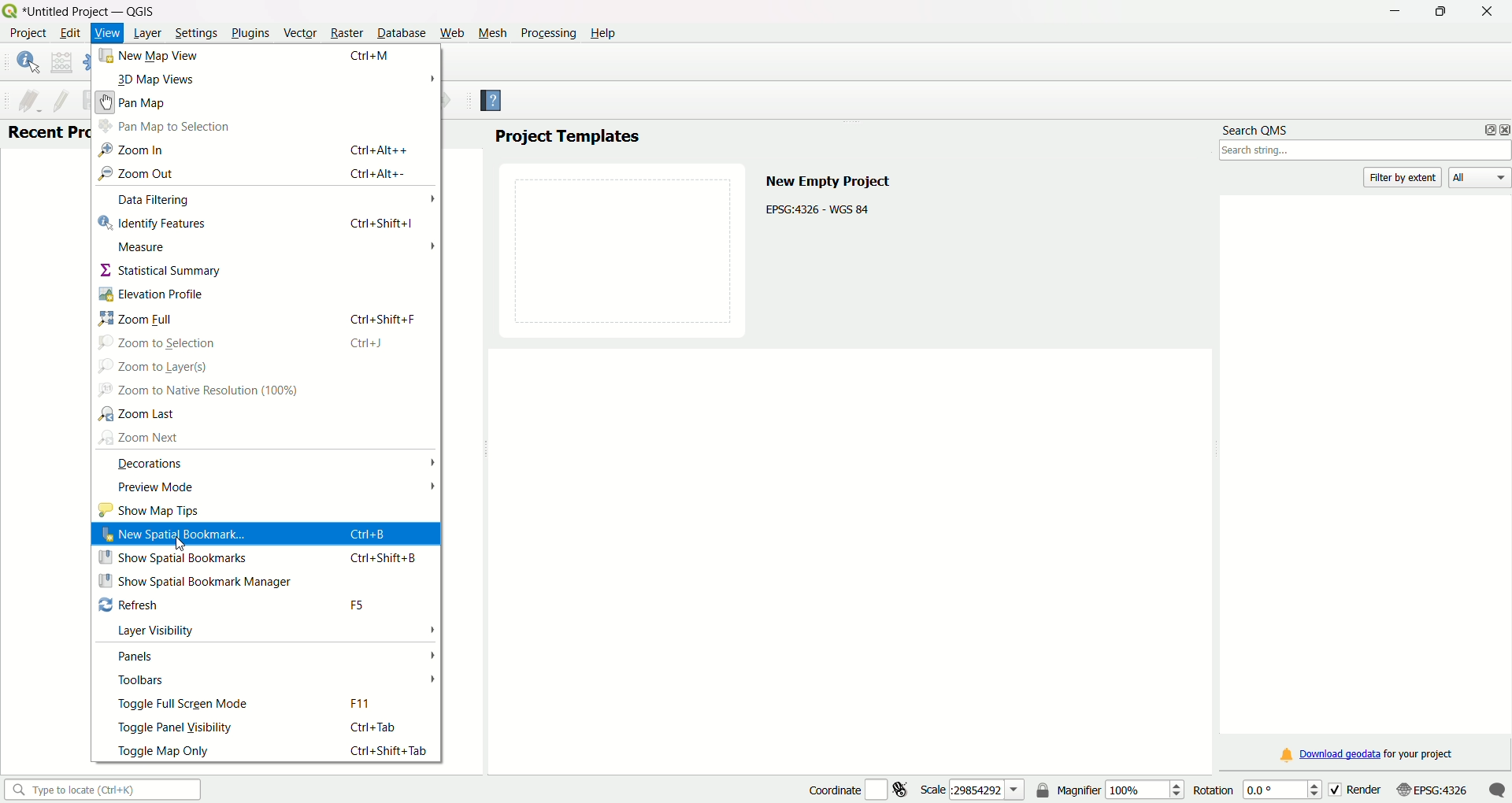 This screenshot has width=1512, height=803. What do you see at coordinates (1366, 152) in the screenshot?
I see `search bar` at bounding box center [1366, 152].